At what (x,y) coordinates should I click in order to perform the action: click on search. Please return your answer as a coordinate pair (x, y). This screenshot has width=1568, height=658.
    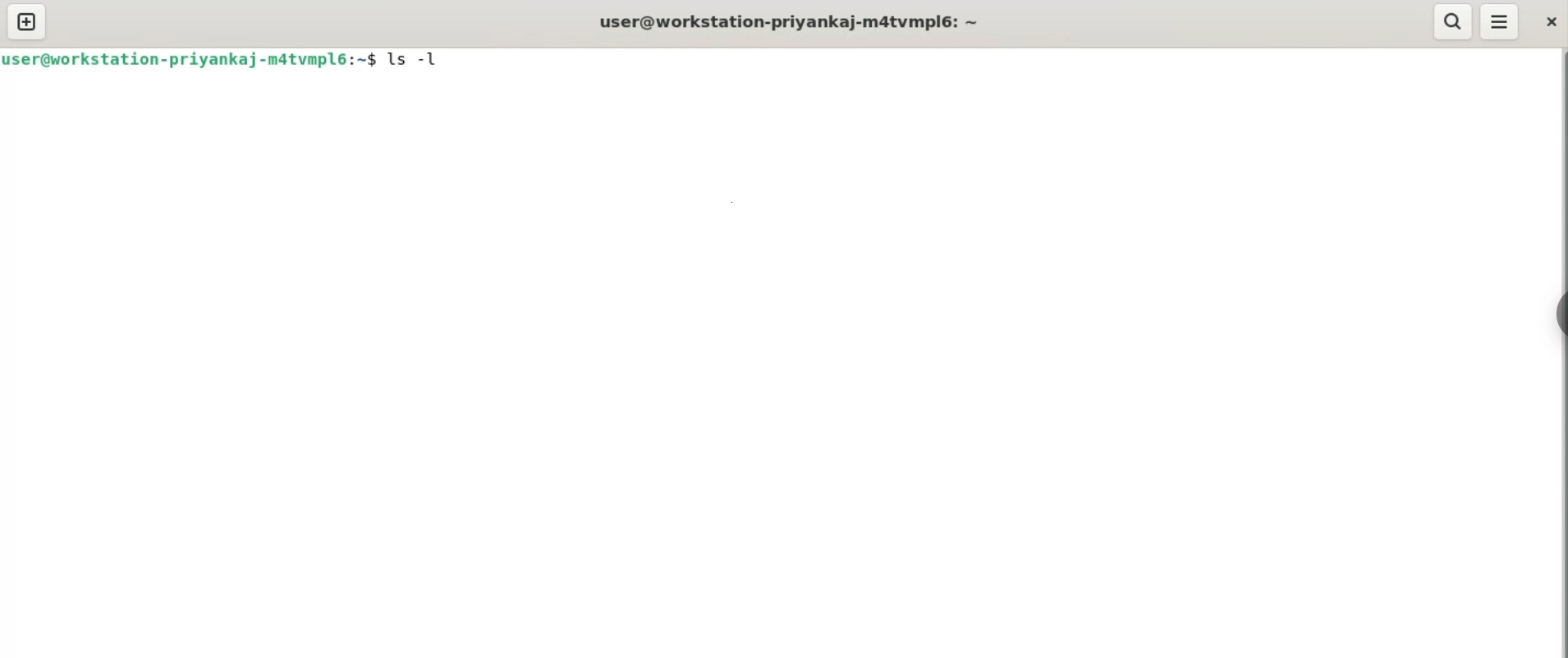
    Looking at the image, I should click on (1452, 21).